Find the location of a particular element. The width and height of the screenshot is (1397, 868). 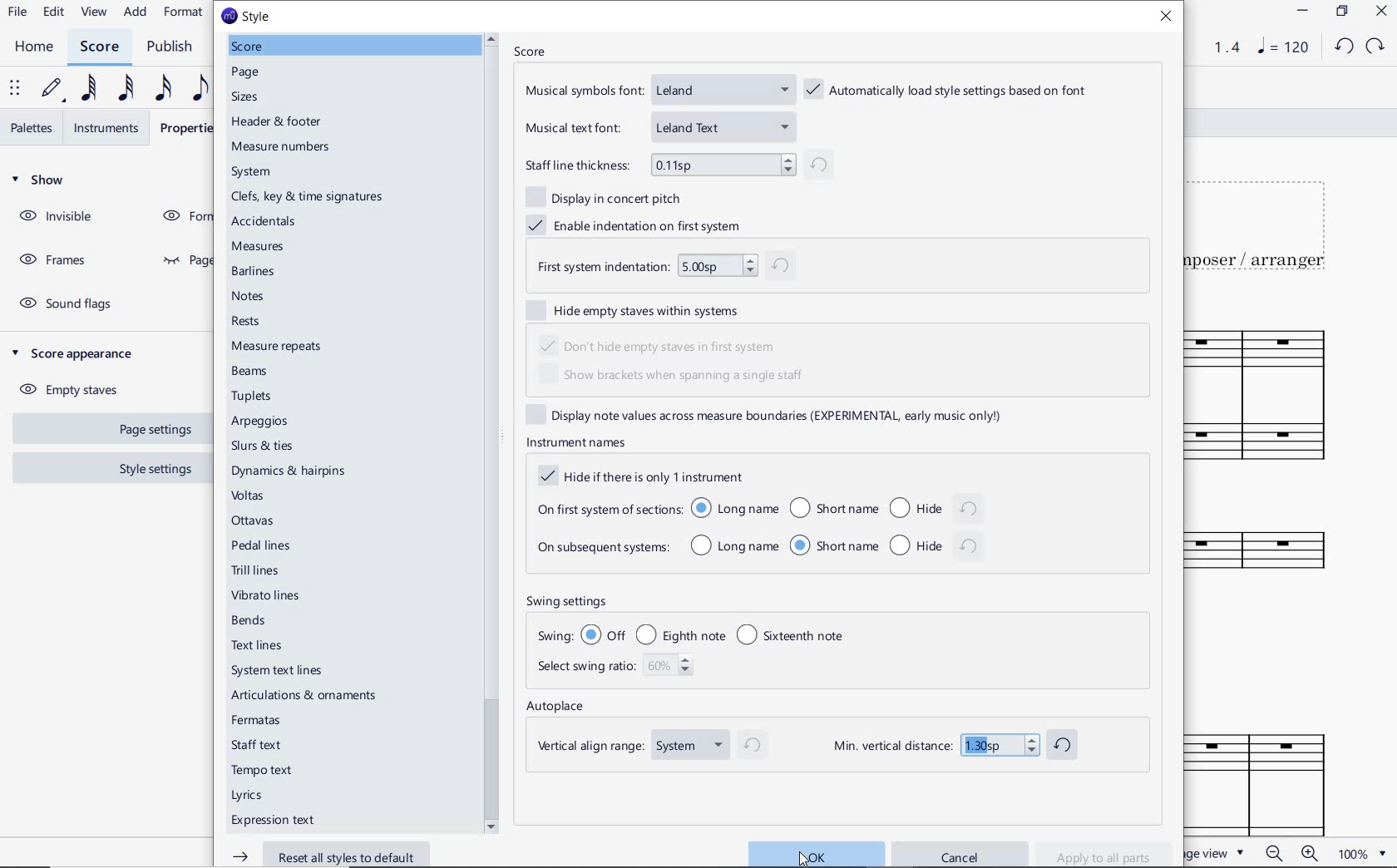

cancel is located at coordinates (962, 851).